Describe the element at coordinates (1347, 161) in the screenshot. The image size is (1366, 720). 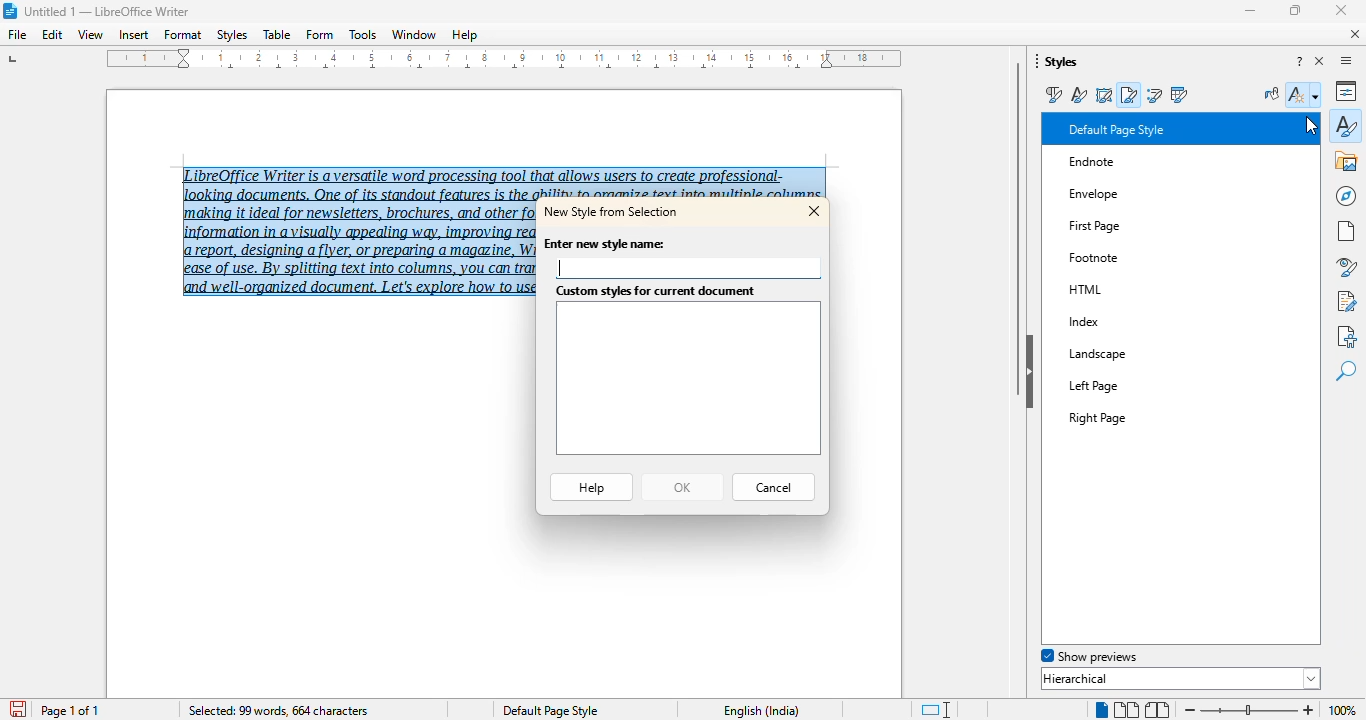
I see `gallery` at that location.